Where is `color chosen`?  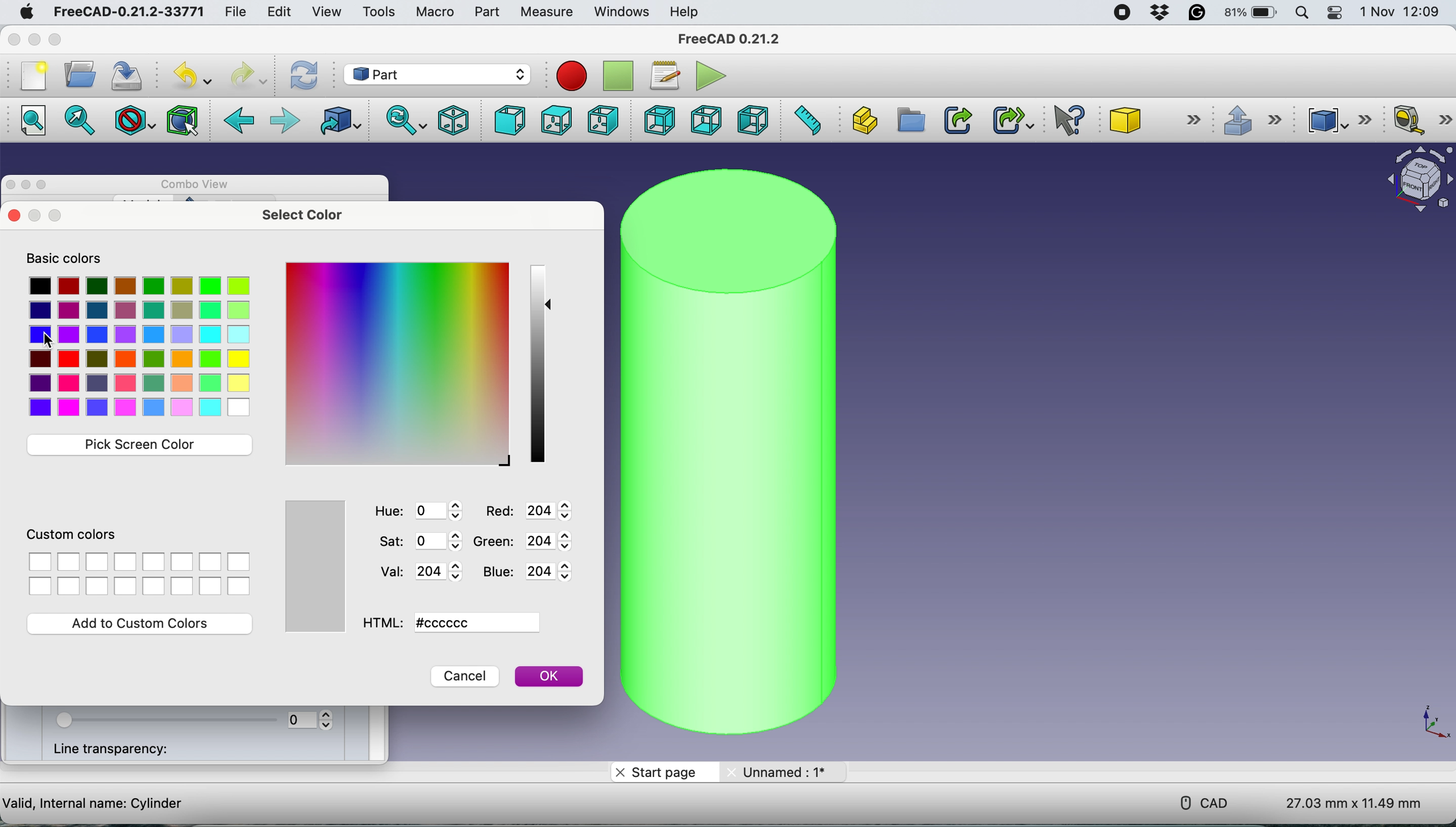
color chosen is located at coordinates (311, 566).